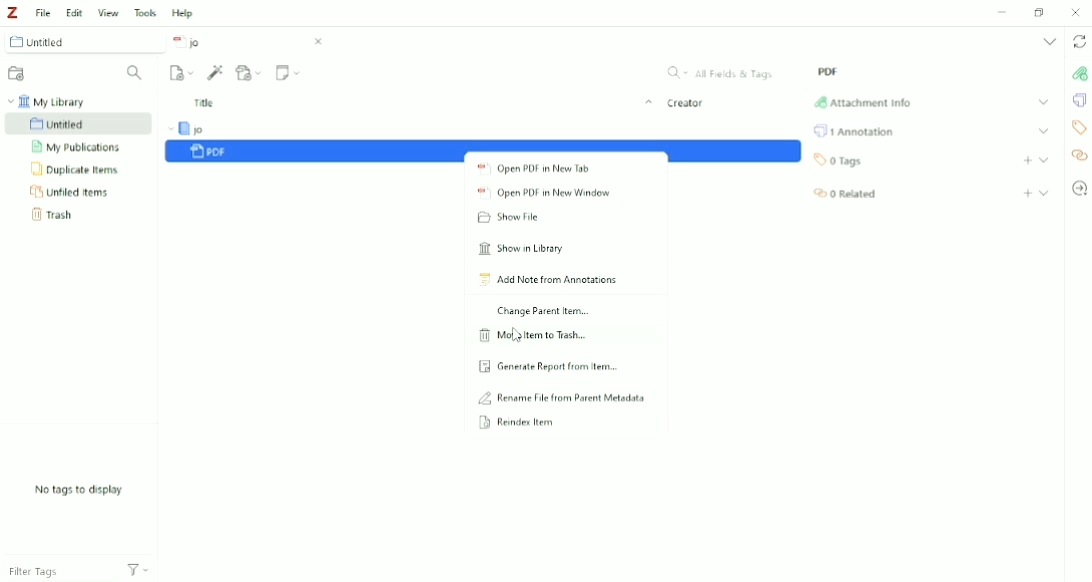 This screenshot has width=1092, height=582. What do you see at coordinates (1040, 13) in the screenshot?
I see `Restore down` at bounding box center [1040, 13].